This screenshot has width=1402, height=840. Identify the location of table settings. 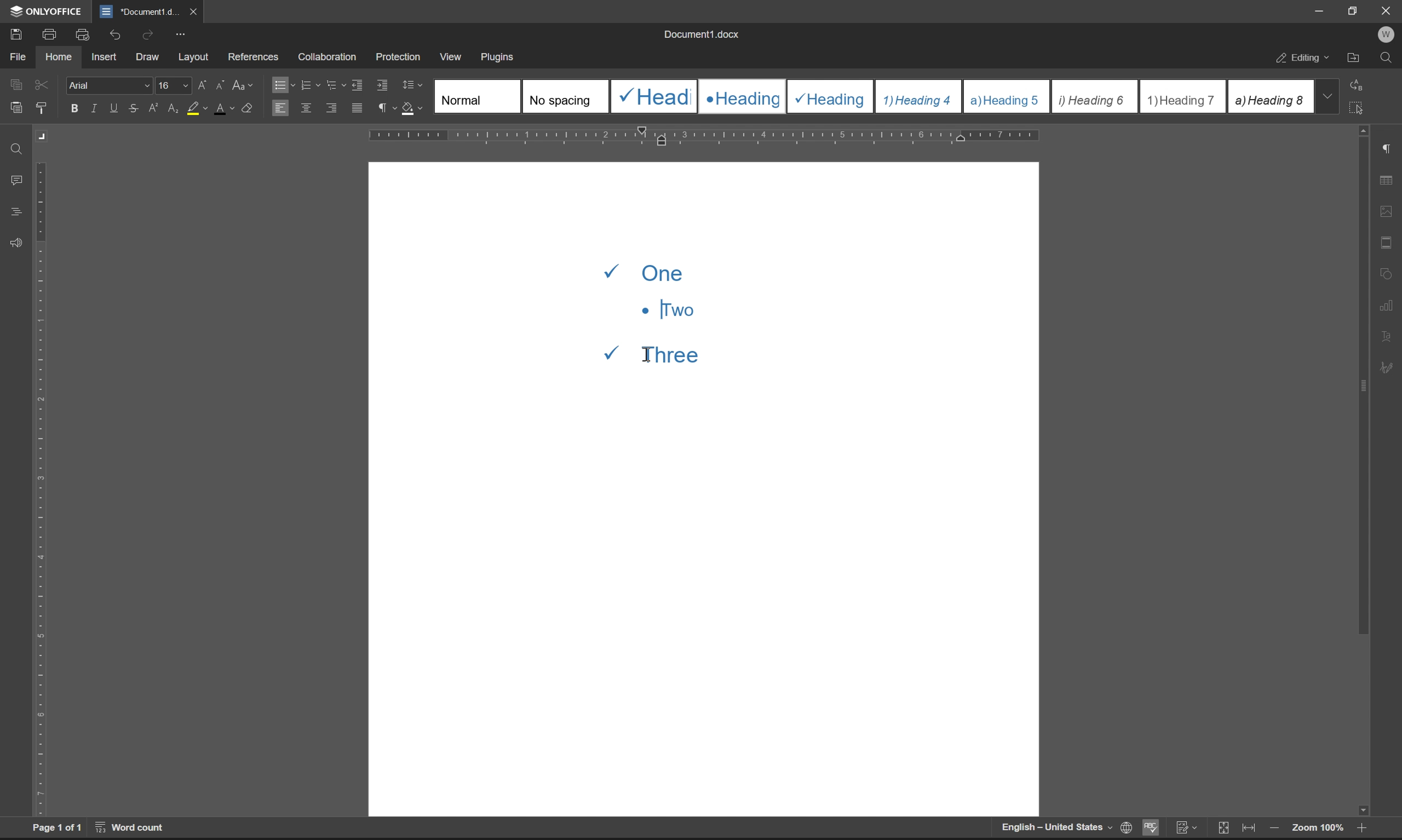
(1386, 181).